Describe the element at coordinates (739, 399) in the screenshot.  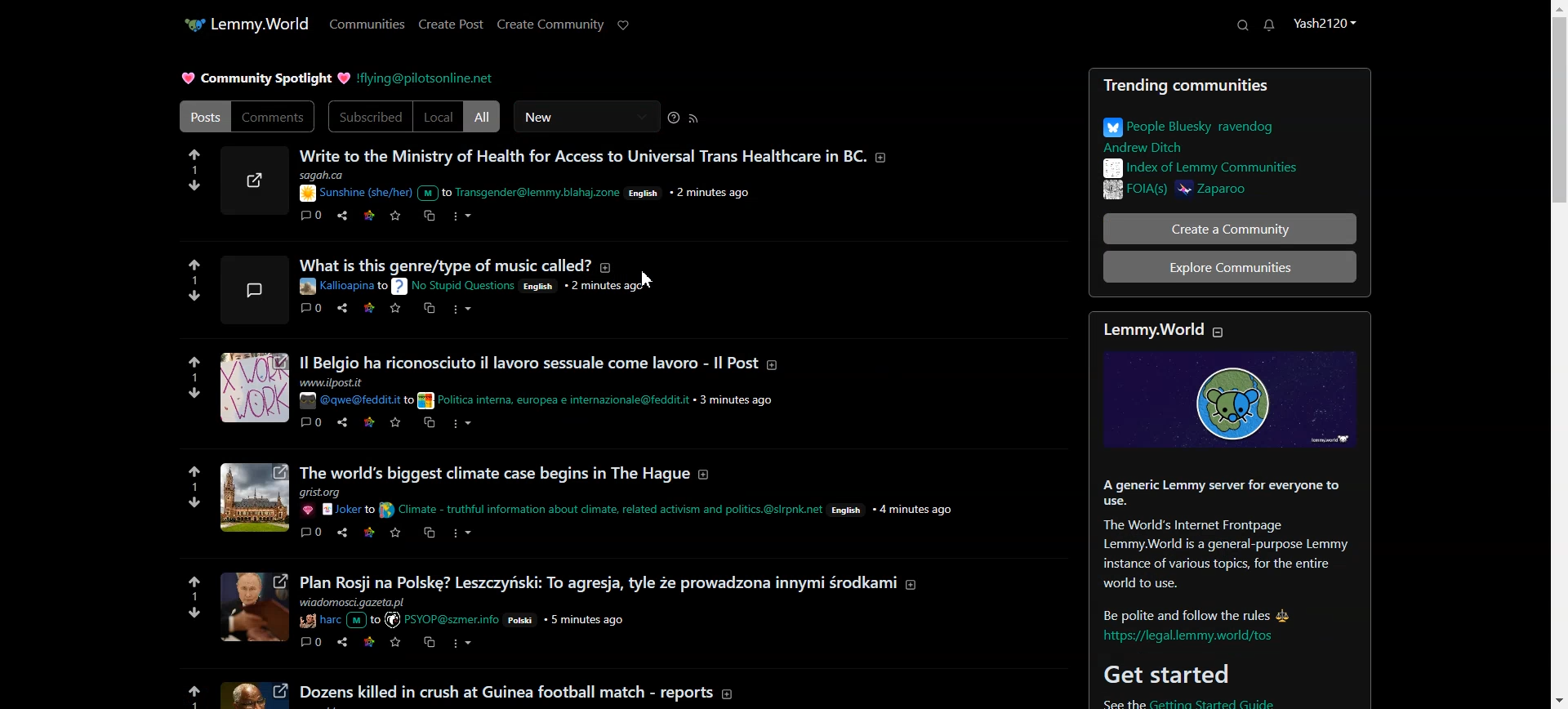
I see `3 minutes ago` at that location.